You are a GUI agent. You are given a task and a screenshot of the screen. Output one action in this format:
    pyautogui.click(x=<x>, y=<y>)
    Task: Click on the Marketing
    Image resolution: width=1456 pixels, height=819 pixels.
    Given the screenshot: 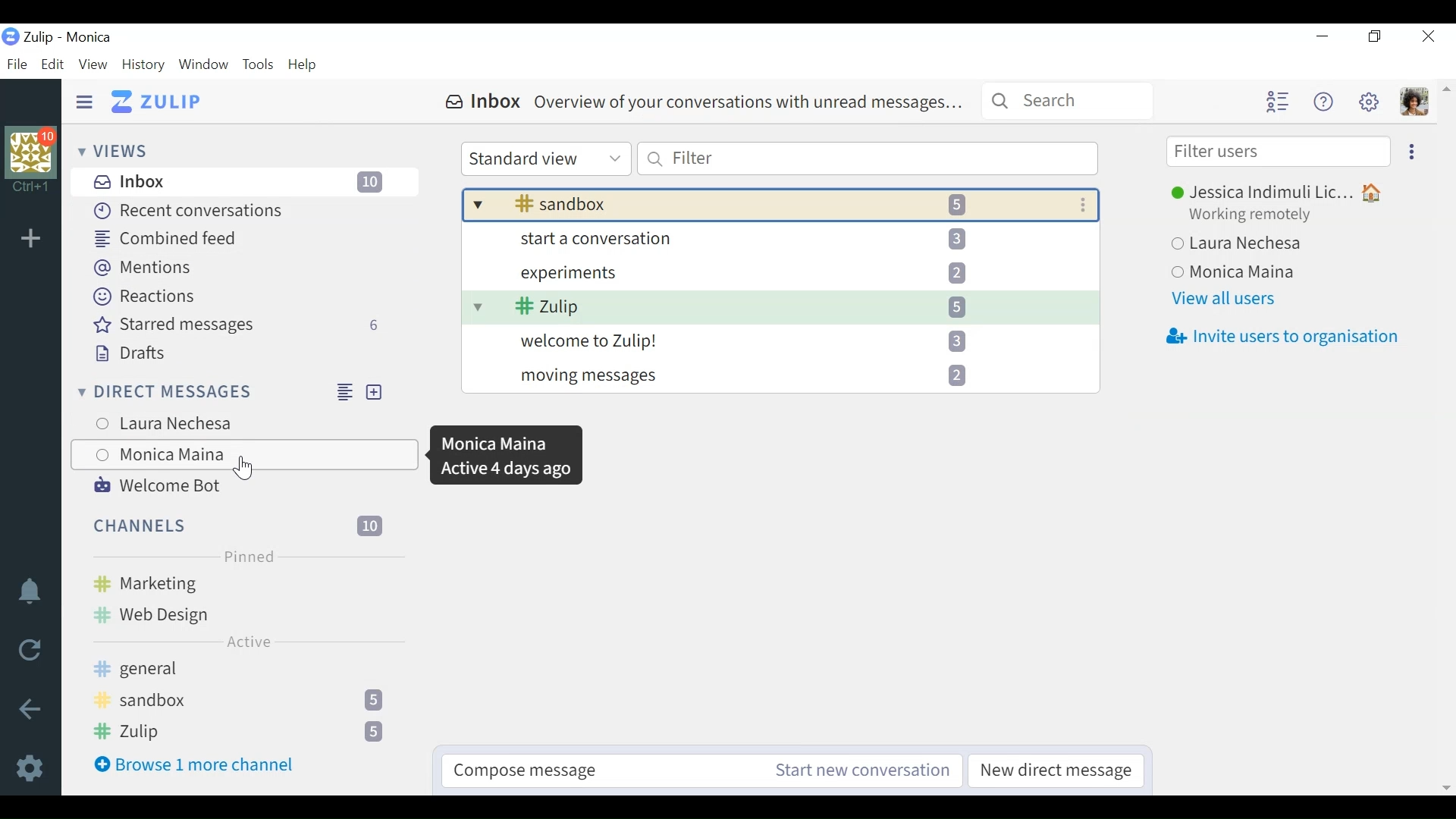 What is the action you would take?
    pyautogui.click(x=243, y=582)
    